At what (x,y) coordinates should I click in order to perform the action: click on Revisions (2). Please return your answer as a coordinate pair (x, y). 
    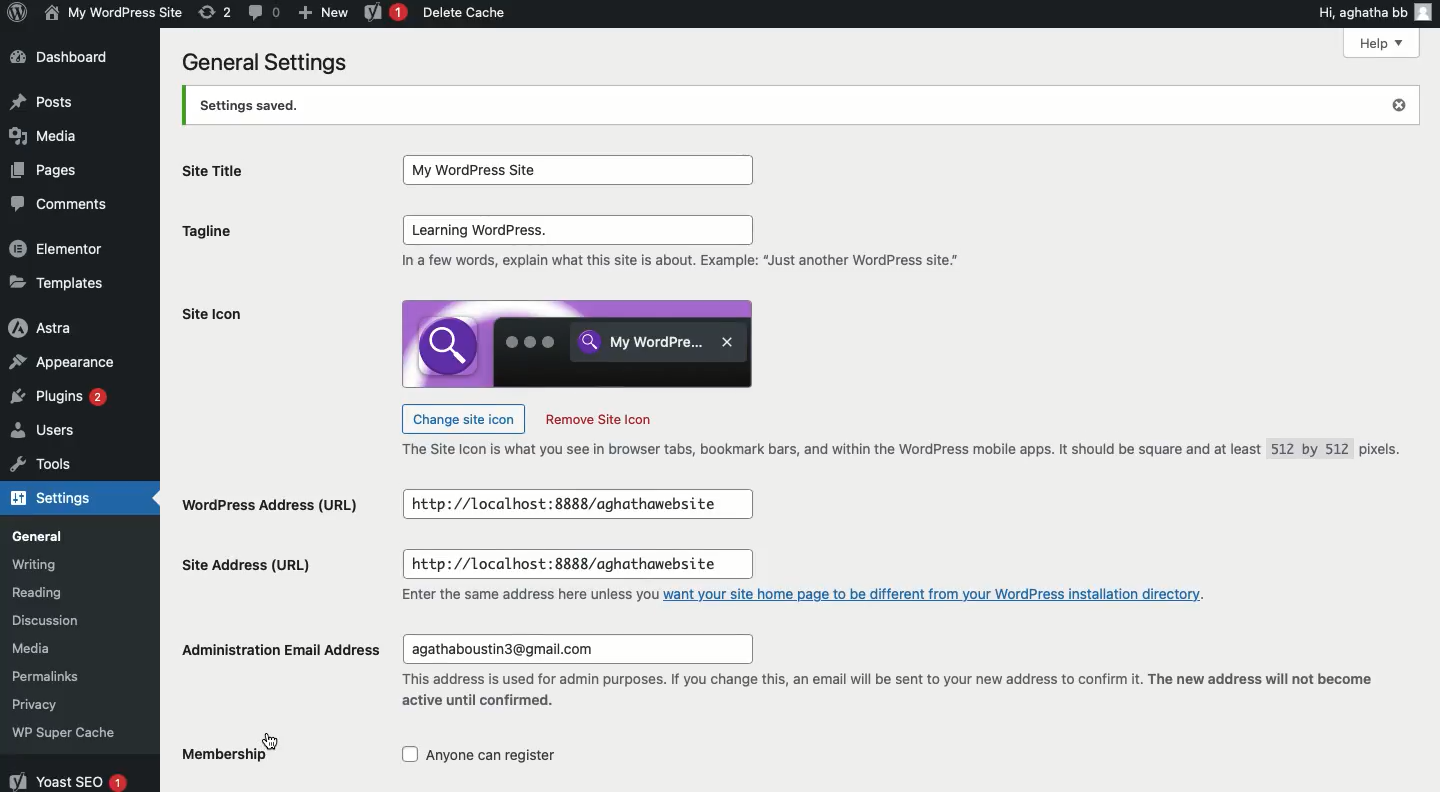
    Looking at the image, I should click on (215, 12).